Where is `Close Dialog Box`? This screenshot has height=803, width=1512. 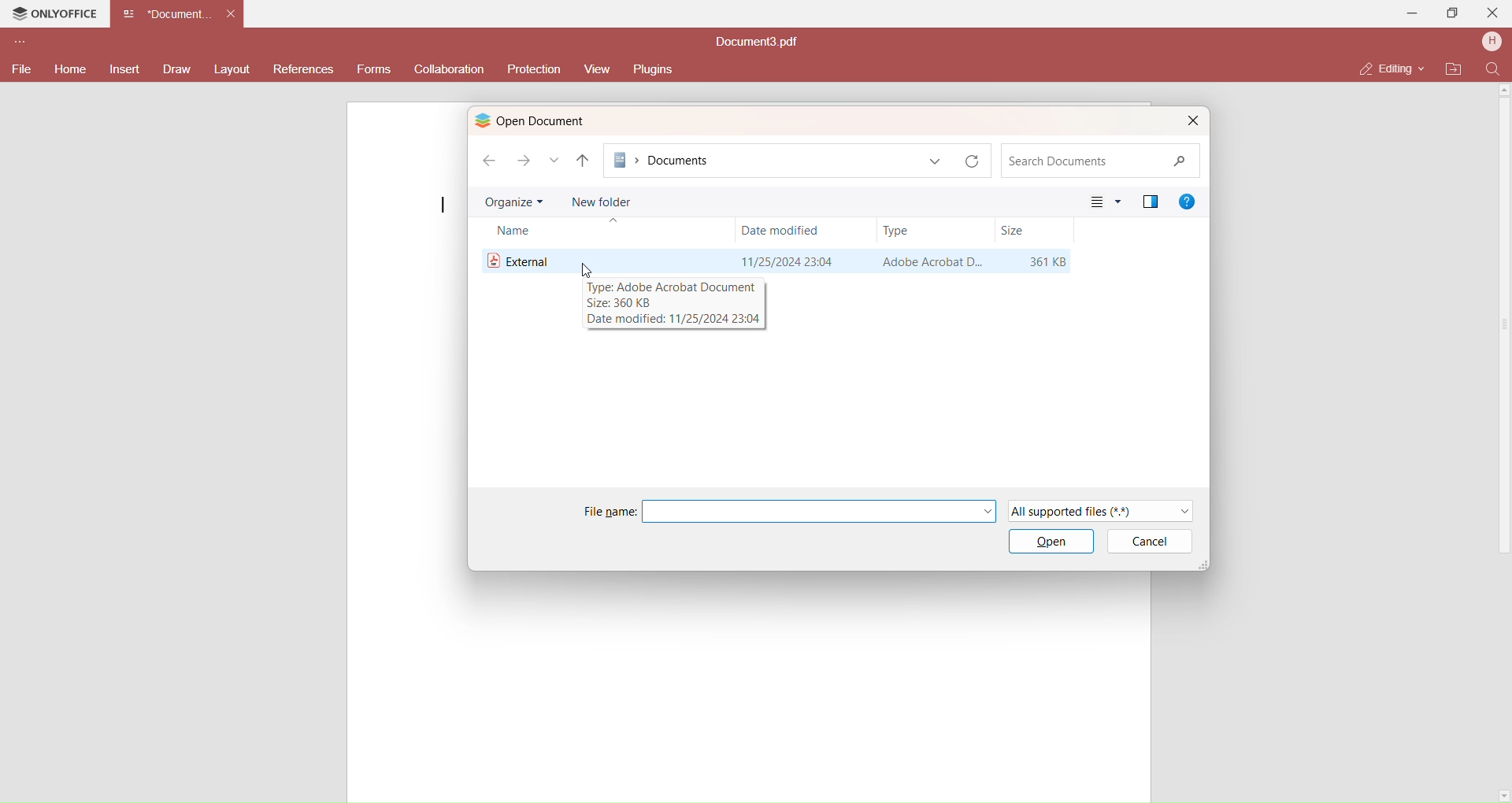
Close Dialog Box is located at coordinates (1191, 120).